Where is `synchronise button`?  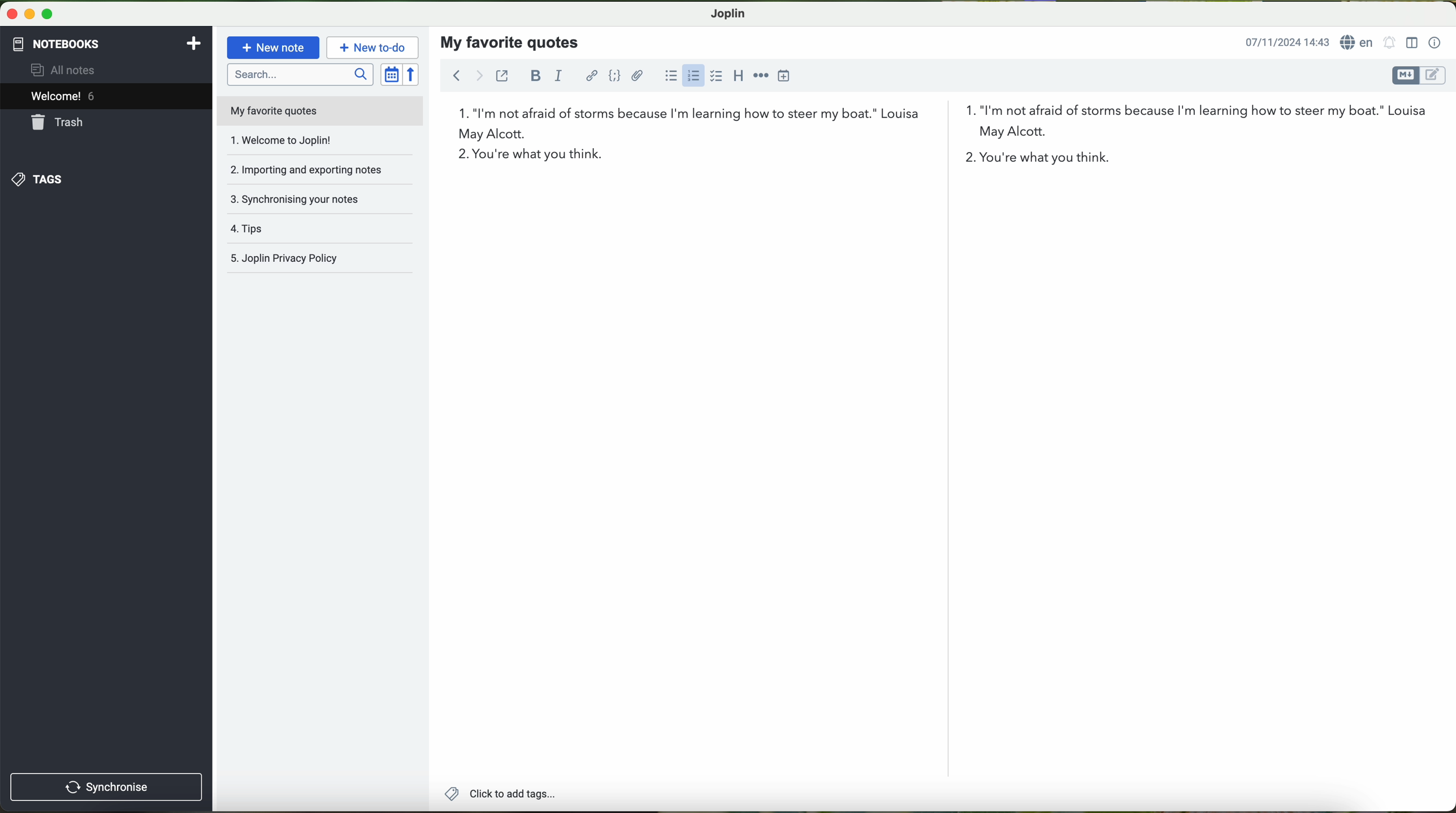
synchronise button is located at coordinates (107, 788).